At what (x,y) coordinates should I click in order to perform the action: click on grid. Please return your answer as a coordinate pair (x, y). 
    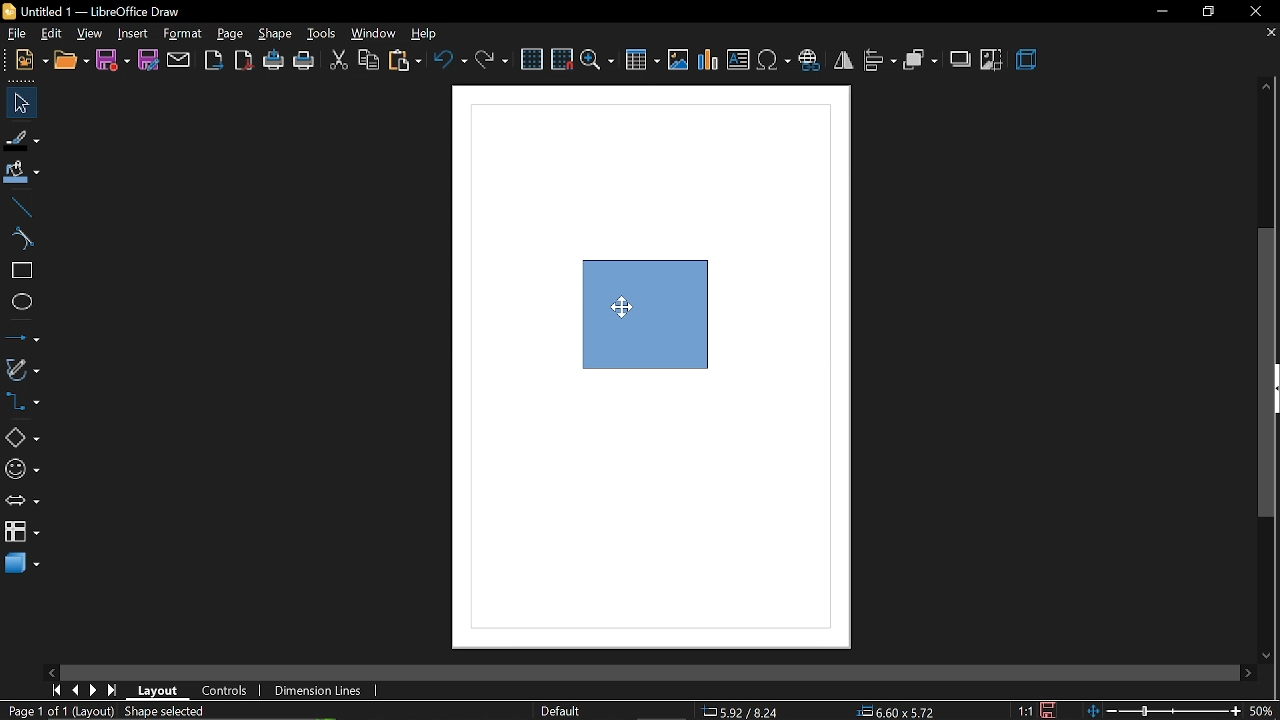
    Looking at the image, I should click on (531, 59).